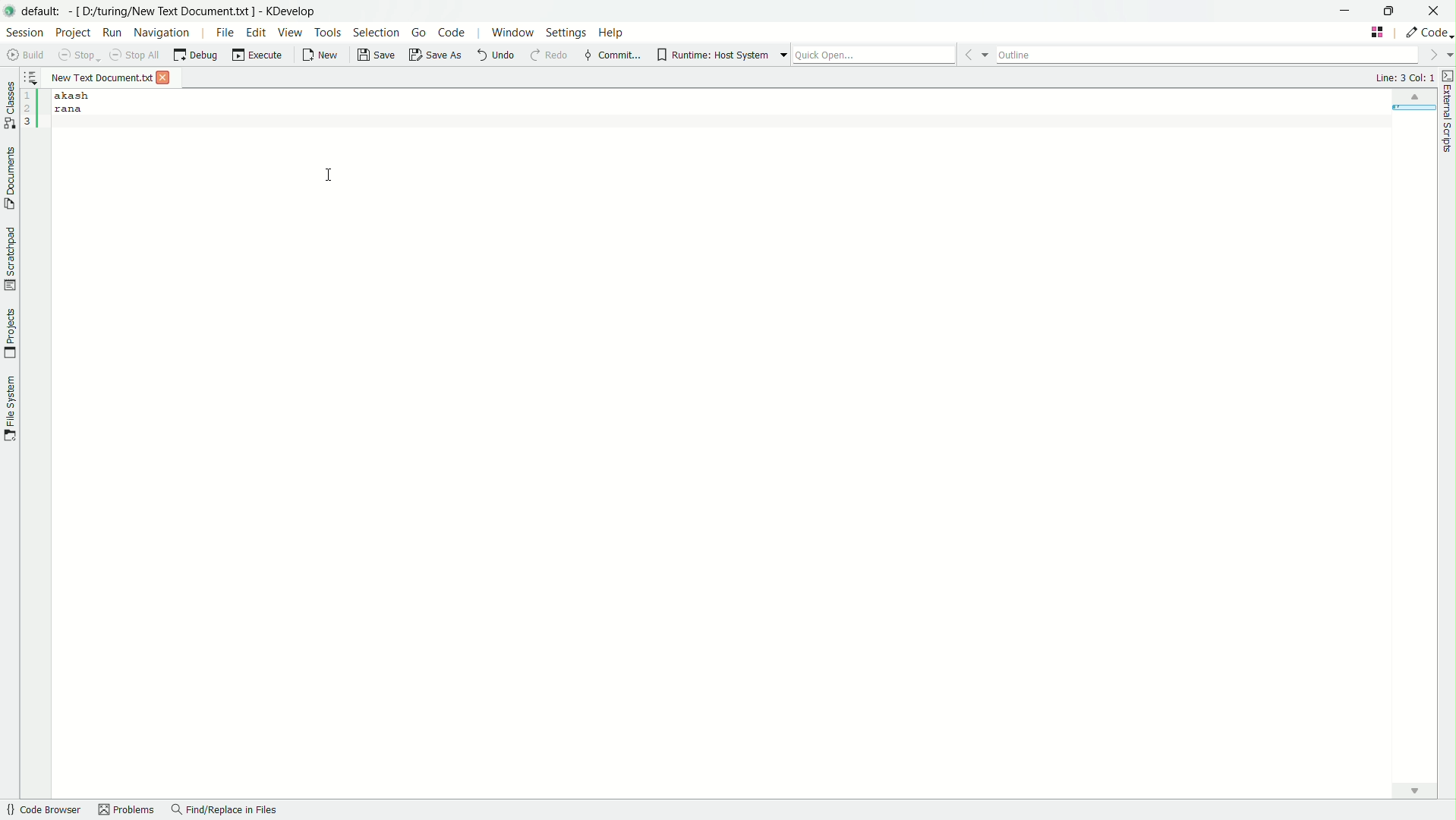 The width and height of the screenshot is (1456, 820). I want to click on lines and columns, so click(1404, 77).